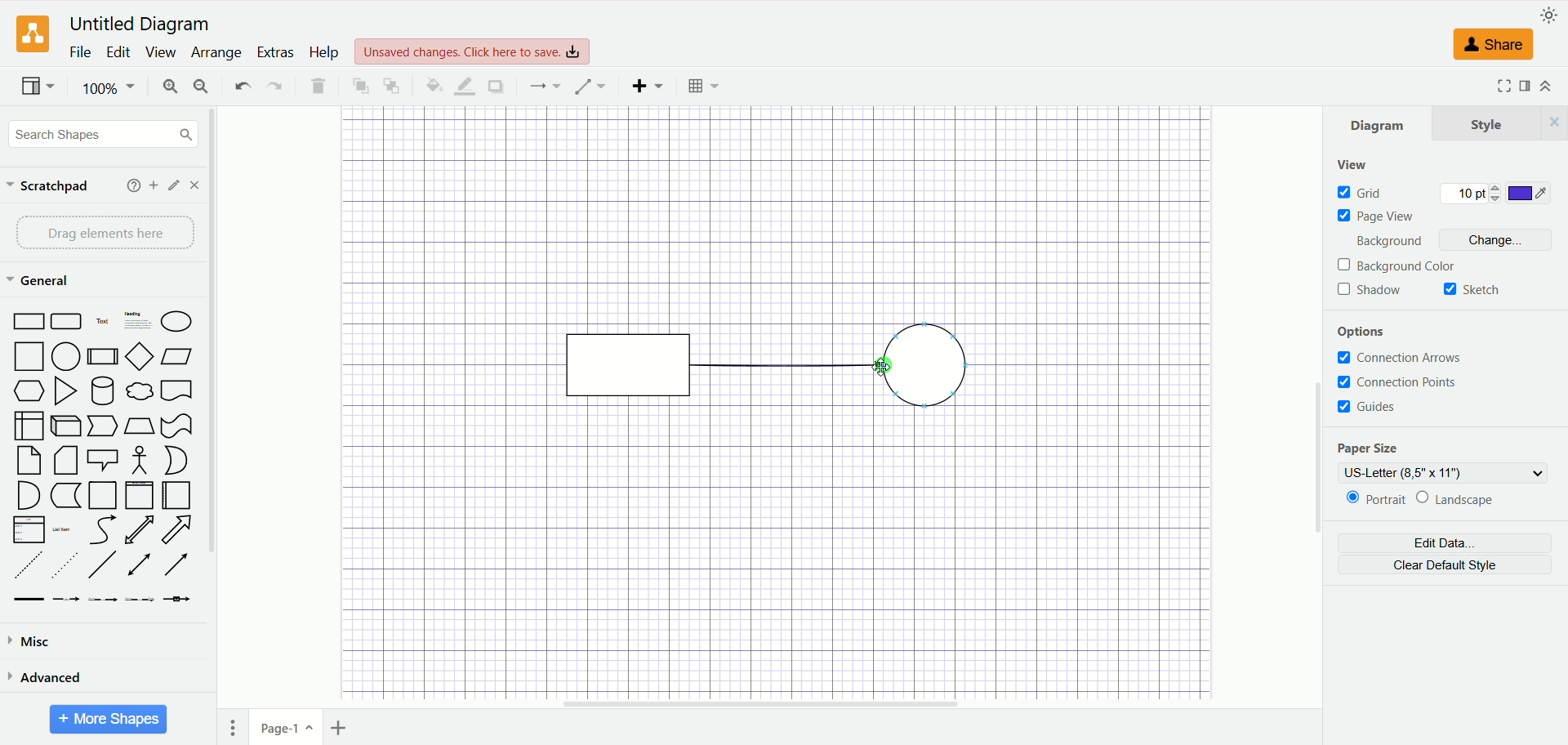  Describe the element at coordinates (38, 280) in the screenshot. I see `general` at that location.